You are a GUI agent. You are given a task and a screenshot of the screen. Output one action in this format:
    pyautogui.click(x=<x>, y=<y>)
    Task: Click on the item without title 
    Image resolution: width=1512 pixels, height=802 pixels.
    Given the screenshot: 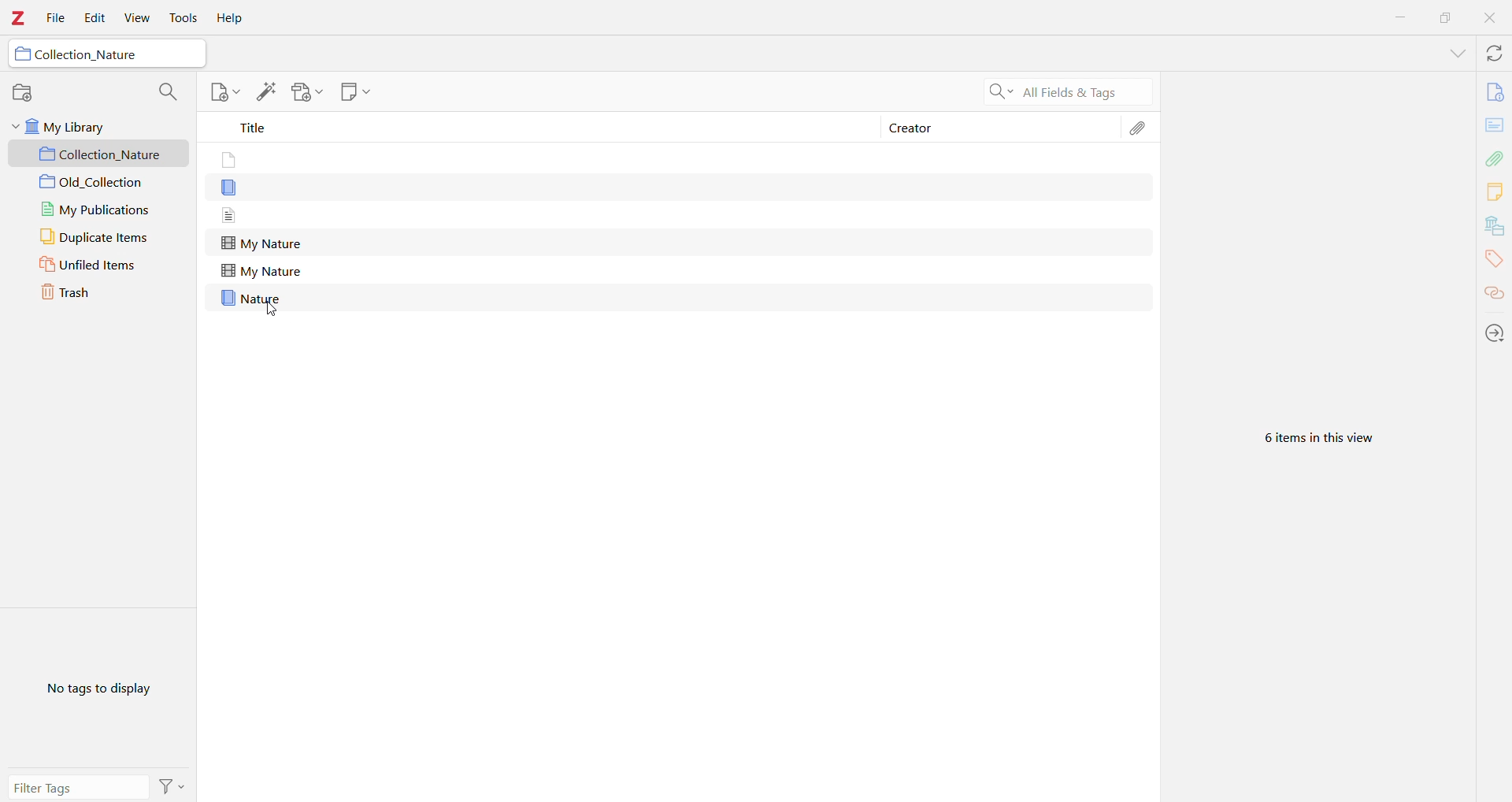 What is the action you would take?
    pyautogui.click(x=227, y=161)
    